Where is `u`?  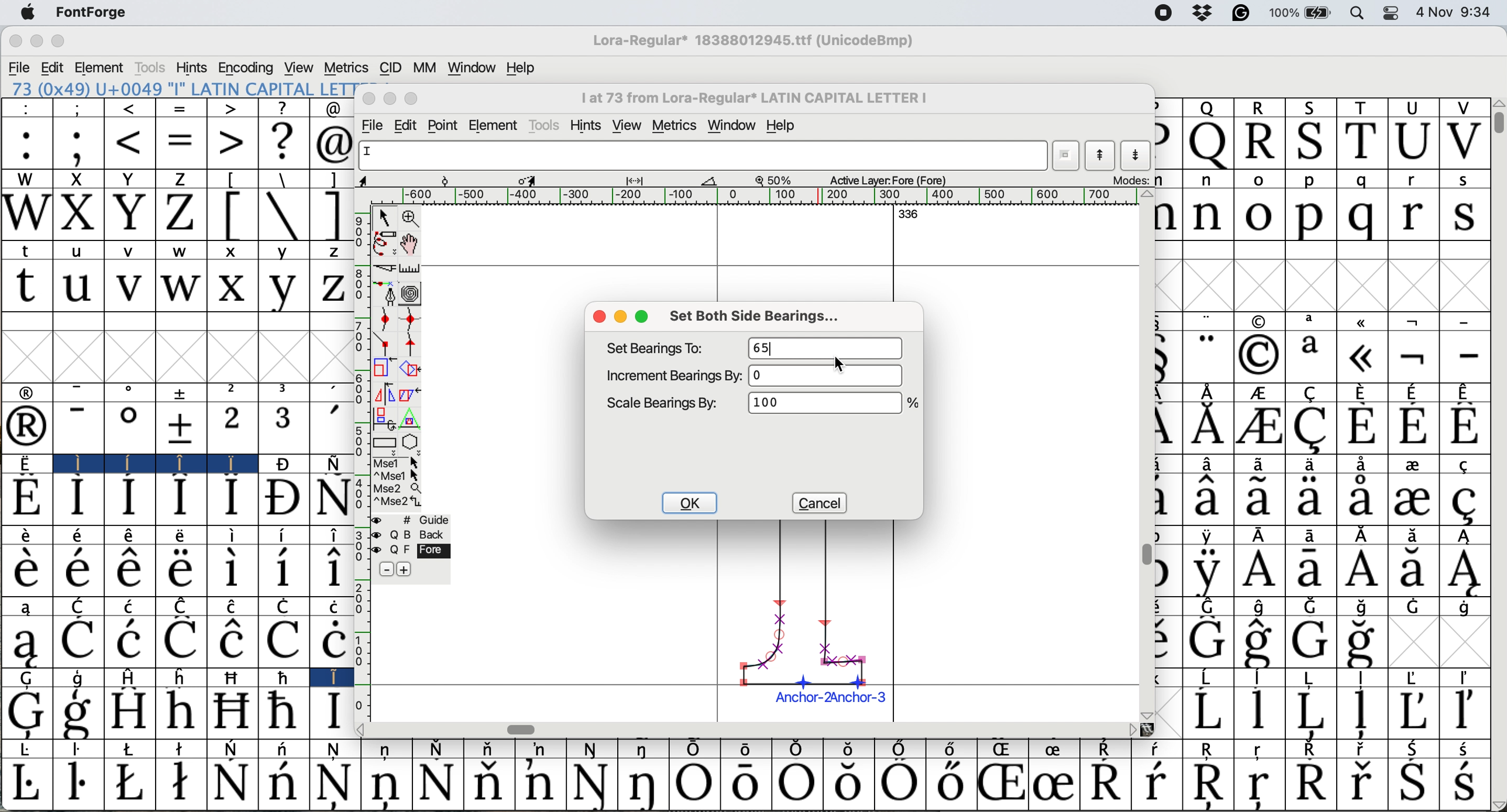 u is located at coordinates (78, 253).